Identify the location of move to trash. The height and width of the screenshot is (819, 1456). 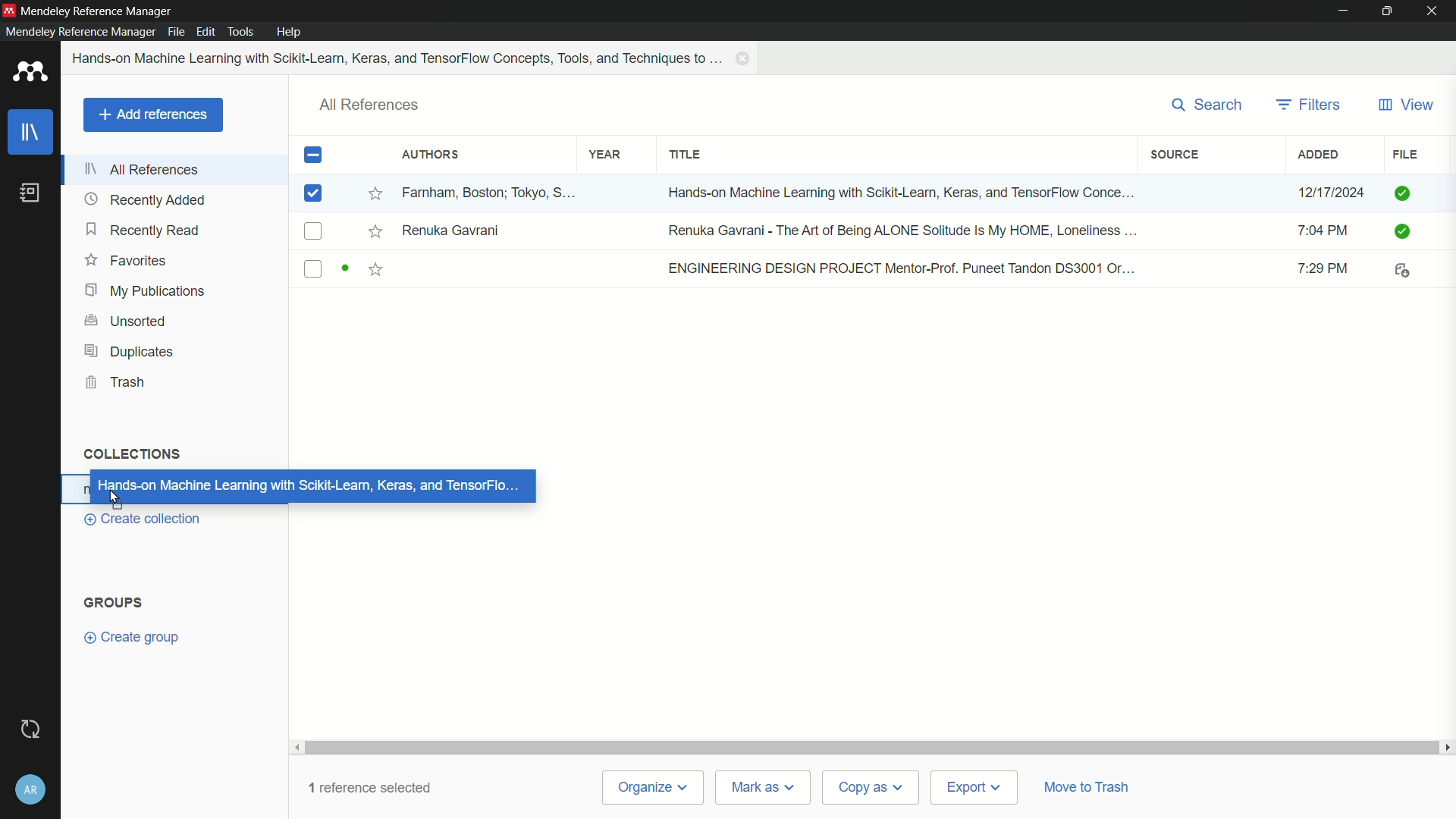
(1084, 785).